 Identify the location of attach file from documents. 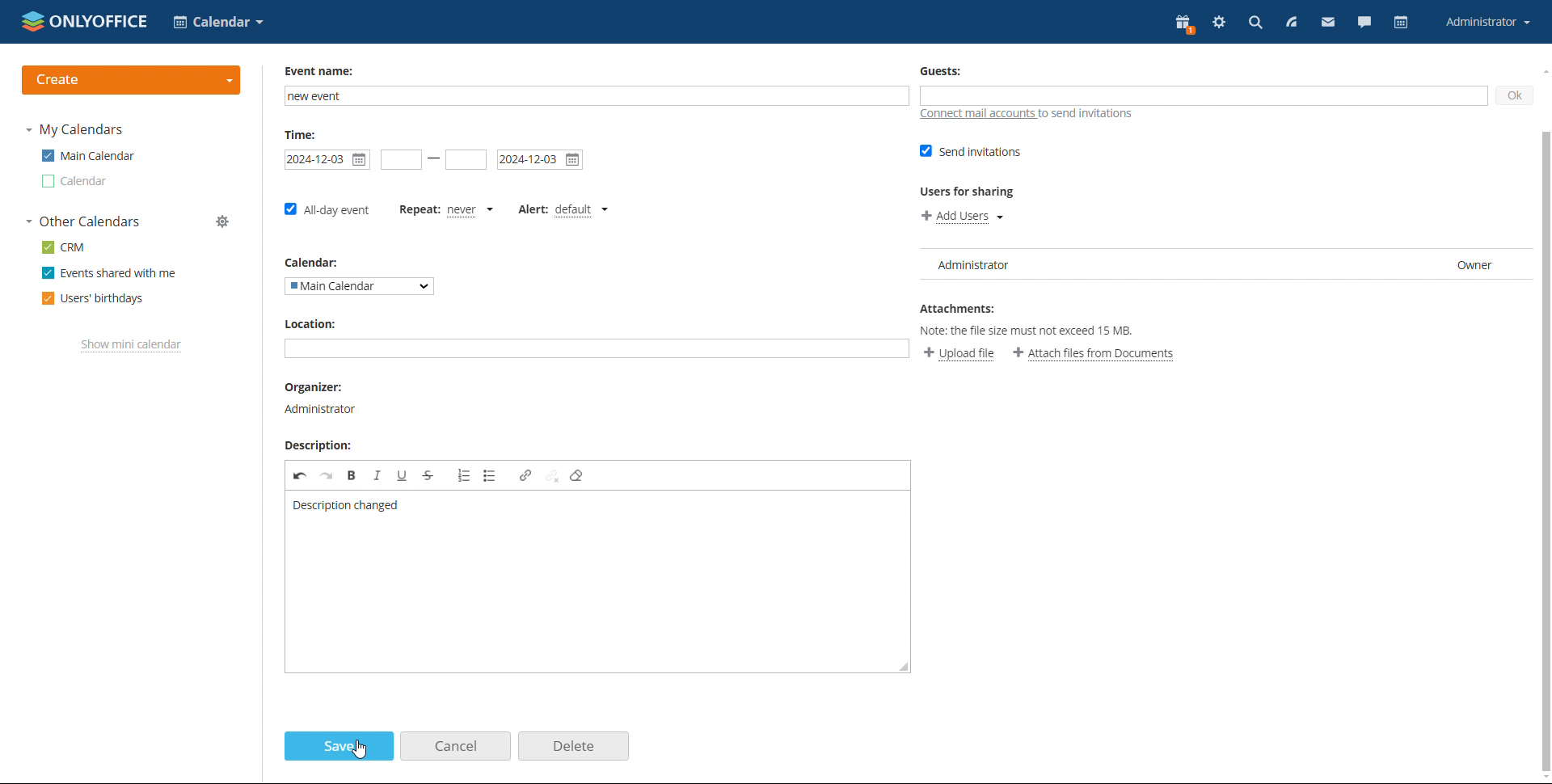
(1094, 354).